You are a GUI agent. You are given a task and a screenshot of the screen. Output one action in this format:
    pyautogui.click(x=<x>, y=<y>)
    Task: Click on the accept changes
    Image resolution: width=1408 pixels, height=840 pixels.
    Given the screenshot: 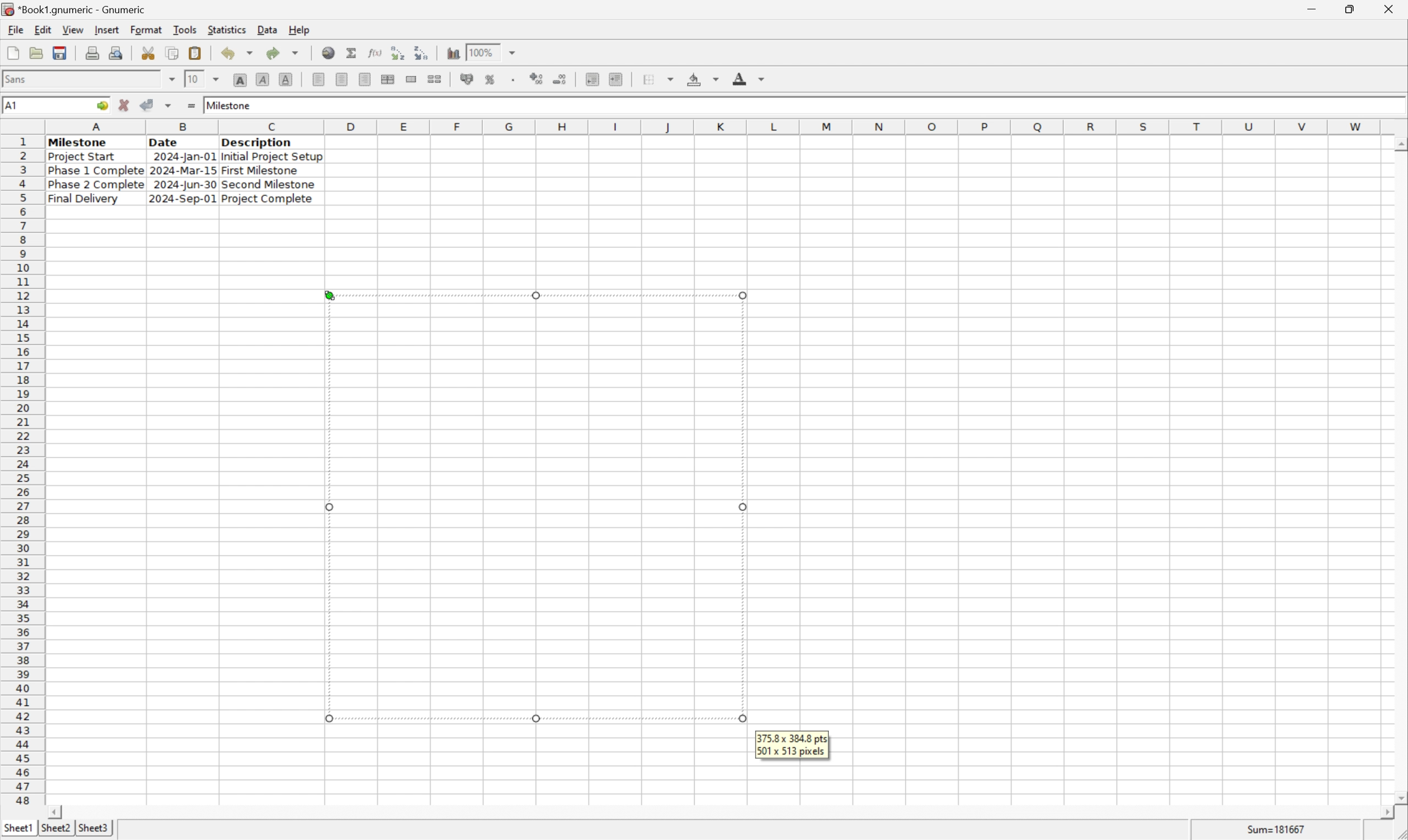 What is the action you would take?
    pyautogui.click(x=151, y=104)
    